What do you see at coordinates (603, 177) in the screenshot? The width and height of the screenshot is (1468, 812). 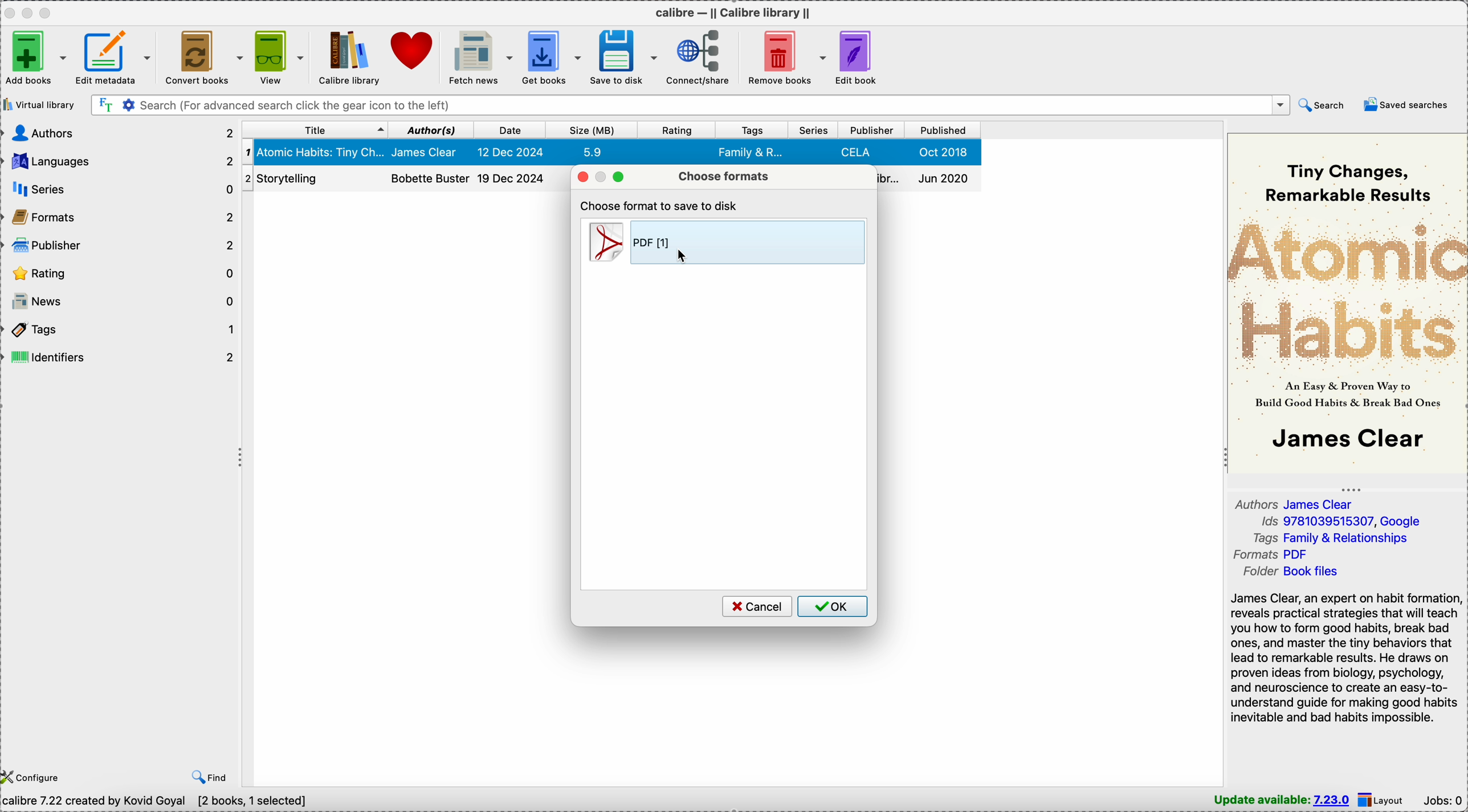 I see `disable minimize popup` at bounding box center [603, 177].